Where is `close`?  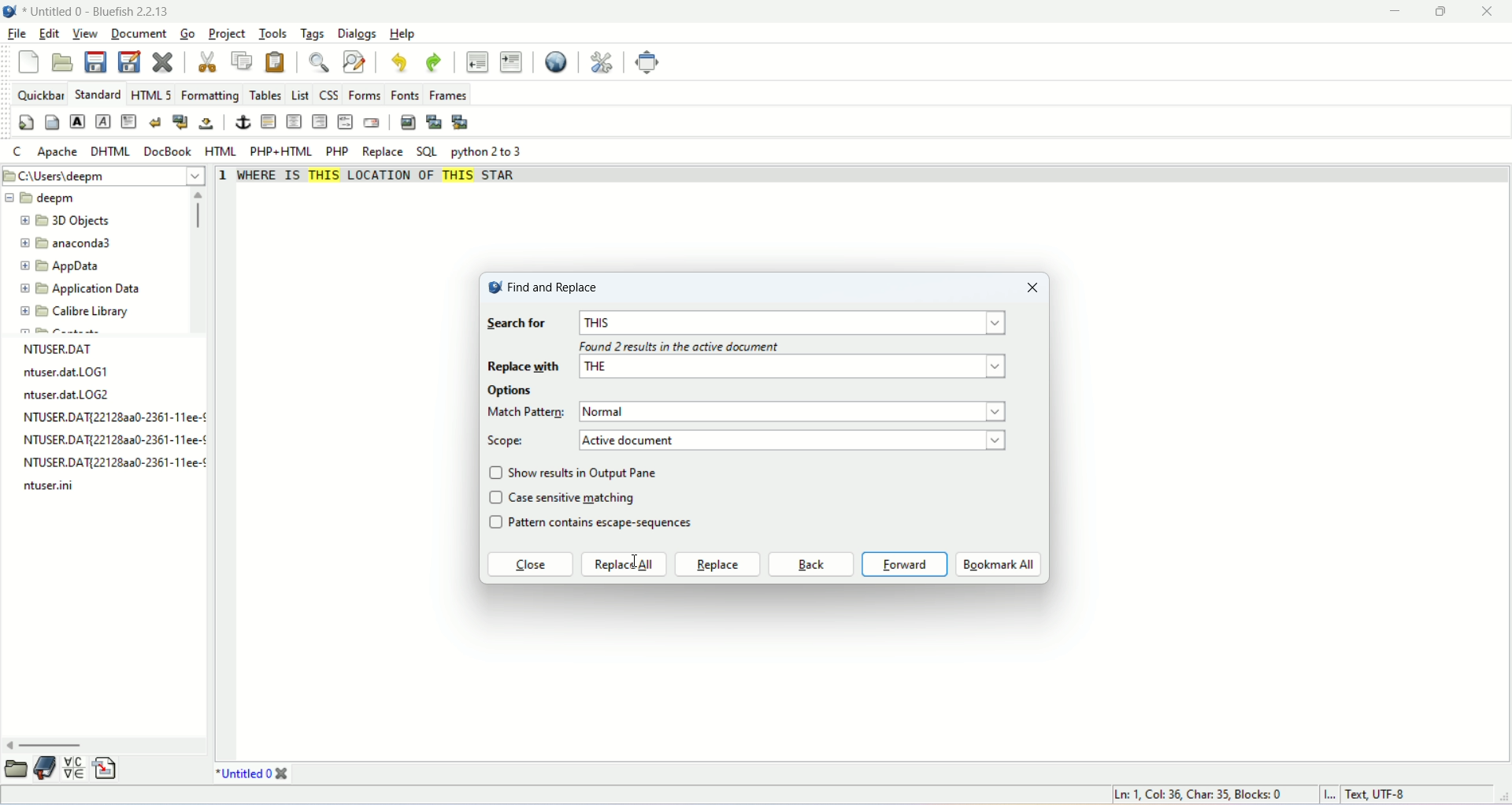
close is located at coordinates (1493, 12).